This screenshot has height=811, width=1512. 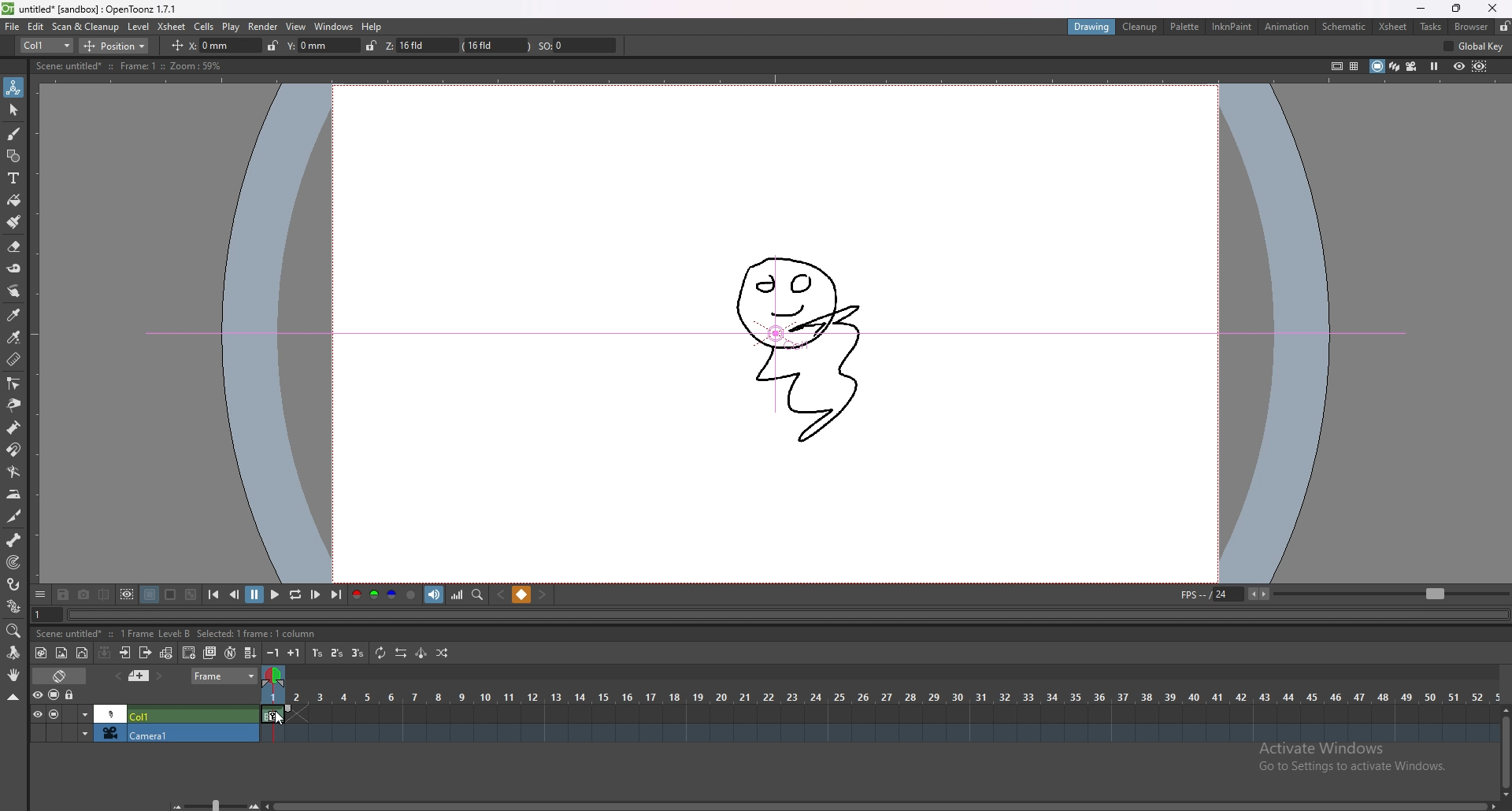 I want to click on reframe on 3s, so click(x=355, y=653).